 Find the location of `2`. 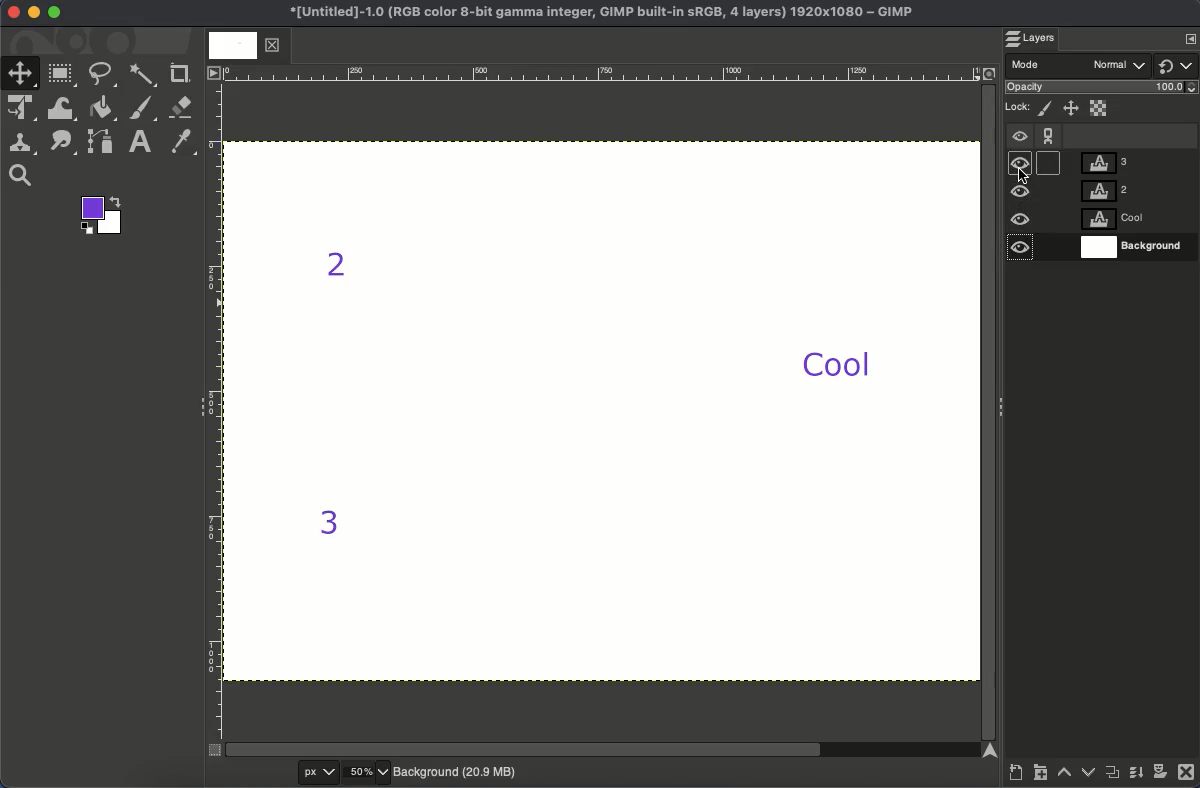

2 is located at coordinates (349, 269).